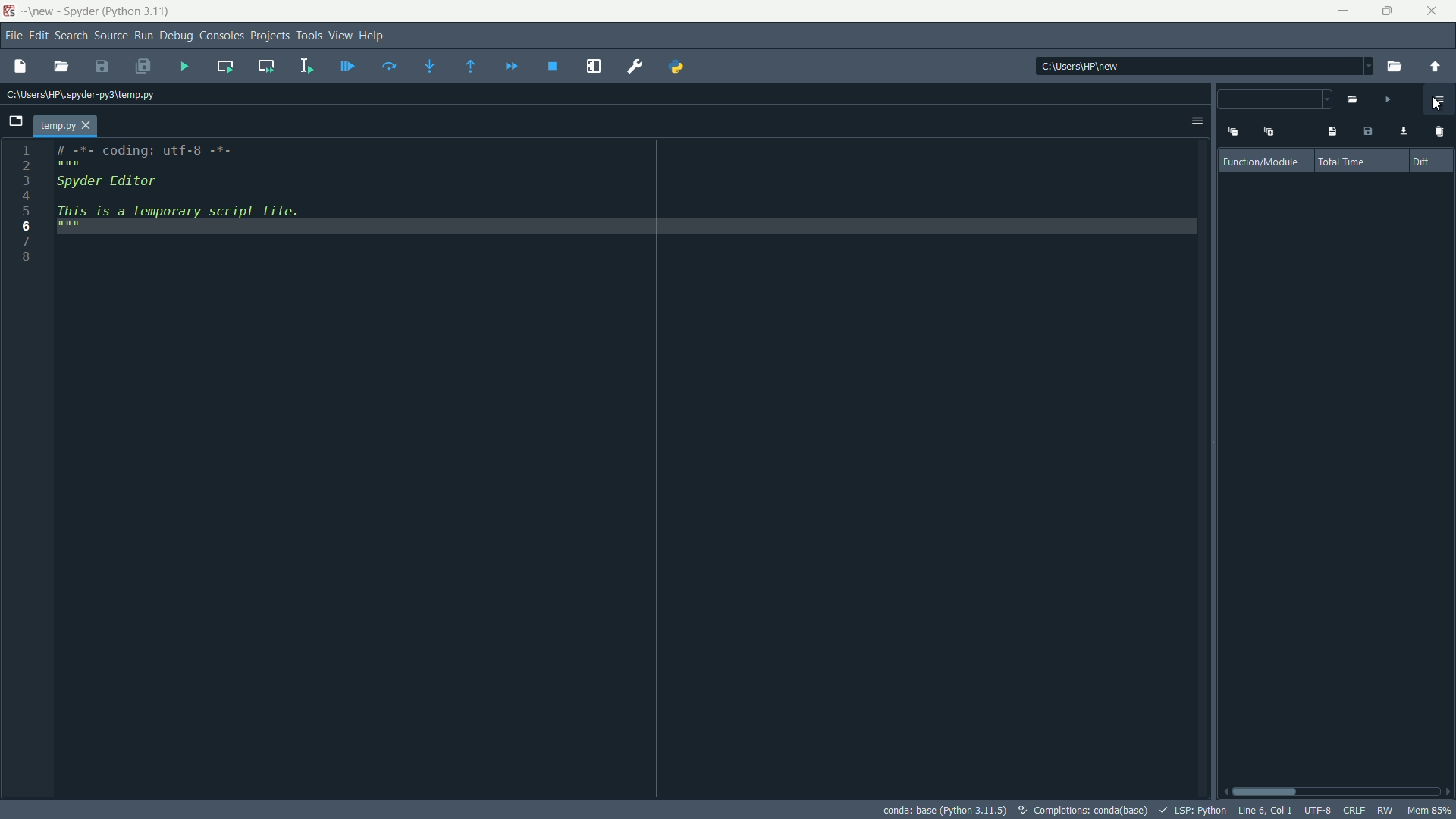 The image size is (1456, 819). What do you see at coordinates (26, 240) in the screenshot?
I see `7` at bounding box center [26, 240].